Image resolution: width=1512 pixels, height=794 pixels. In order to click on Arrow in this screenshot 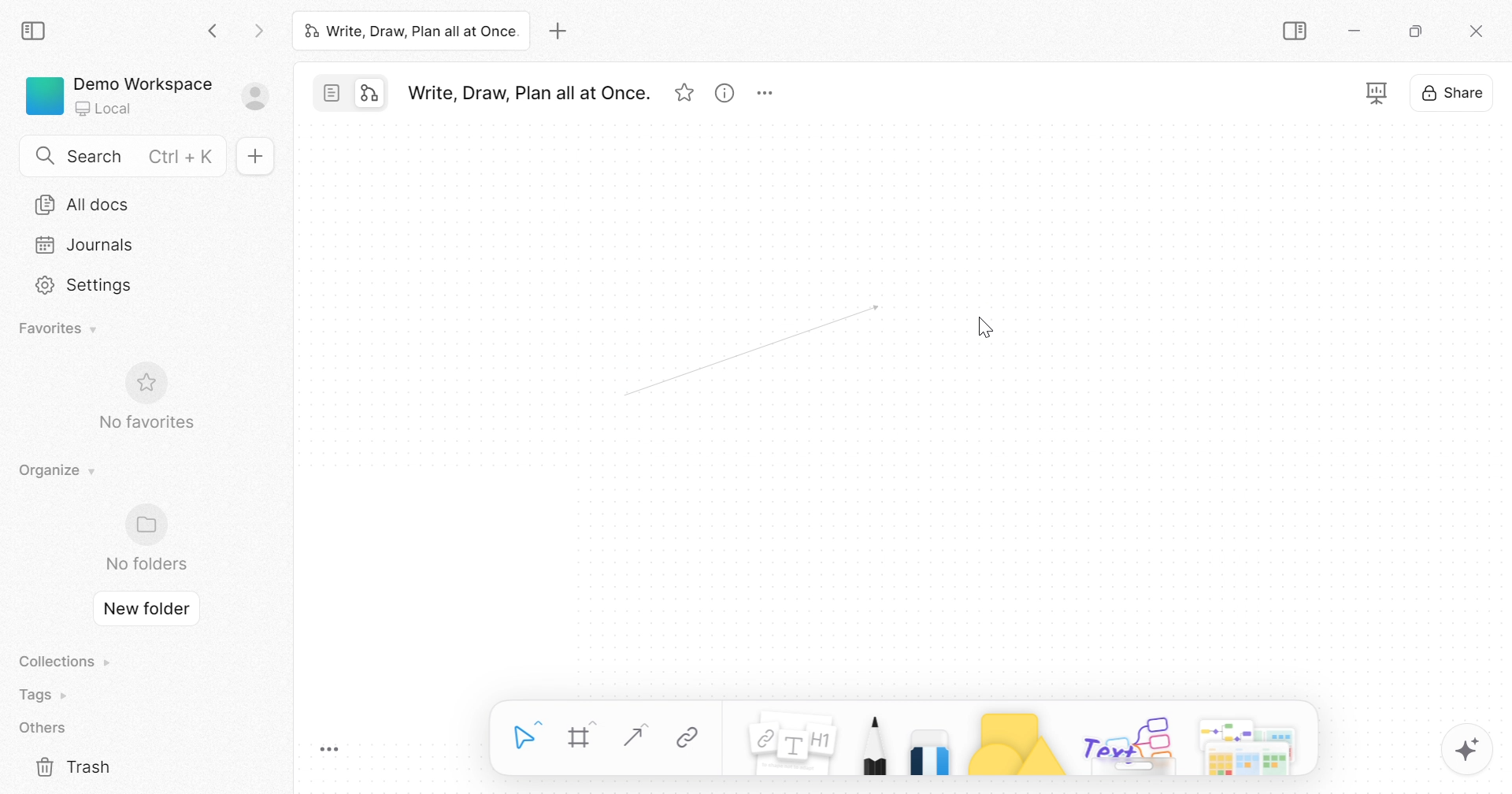, I will do `click(752, 345)`.